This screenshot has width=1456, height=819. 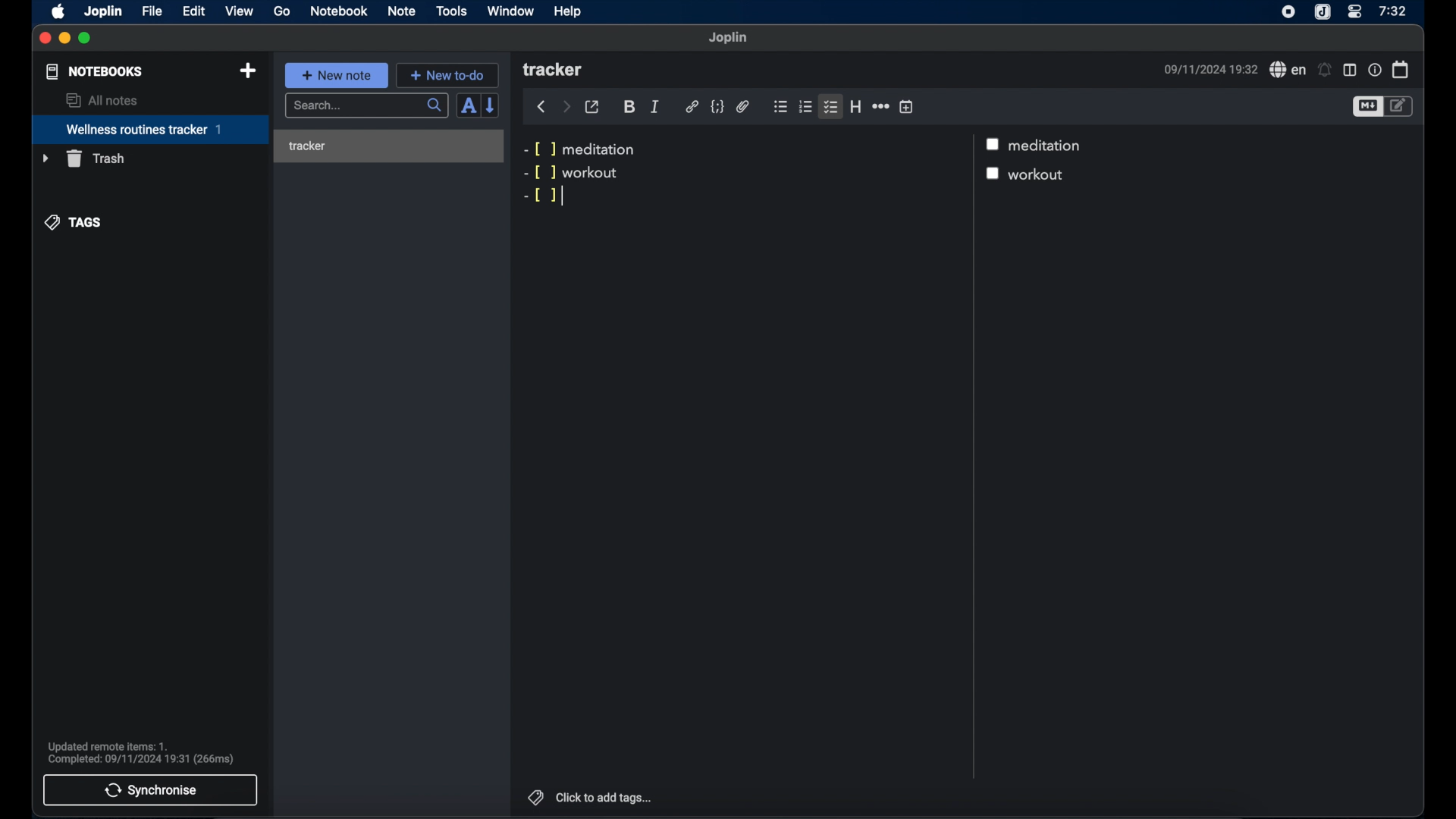 What do you see at coordinates (149, 130) in the screenshot?
I see `wellness routines tracker 1` at bounding box center [149, 130].